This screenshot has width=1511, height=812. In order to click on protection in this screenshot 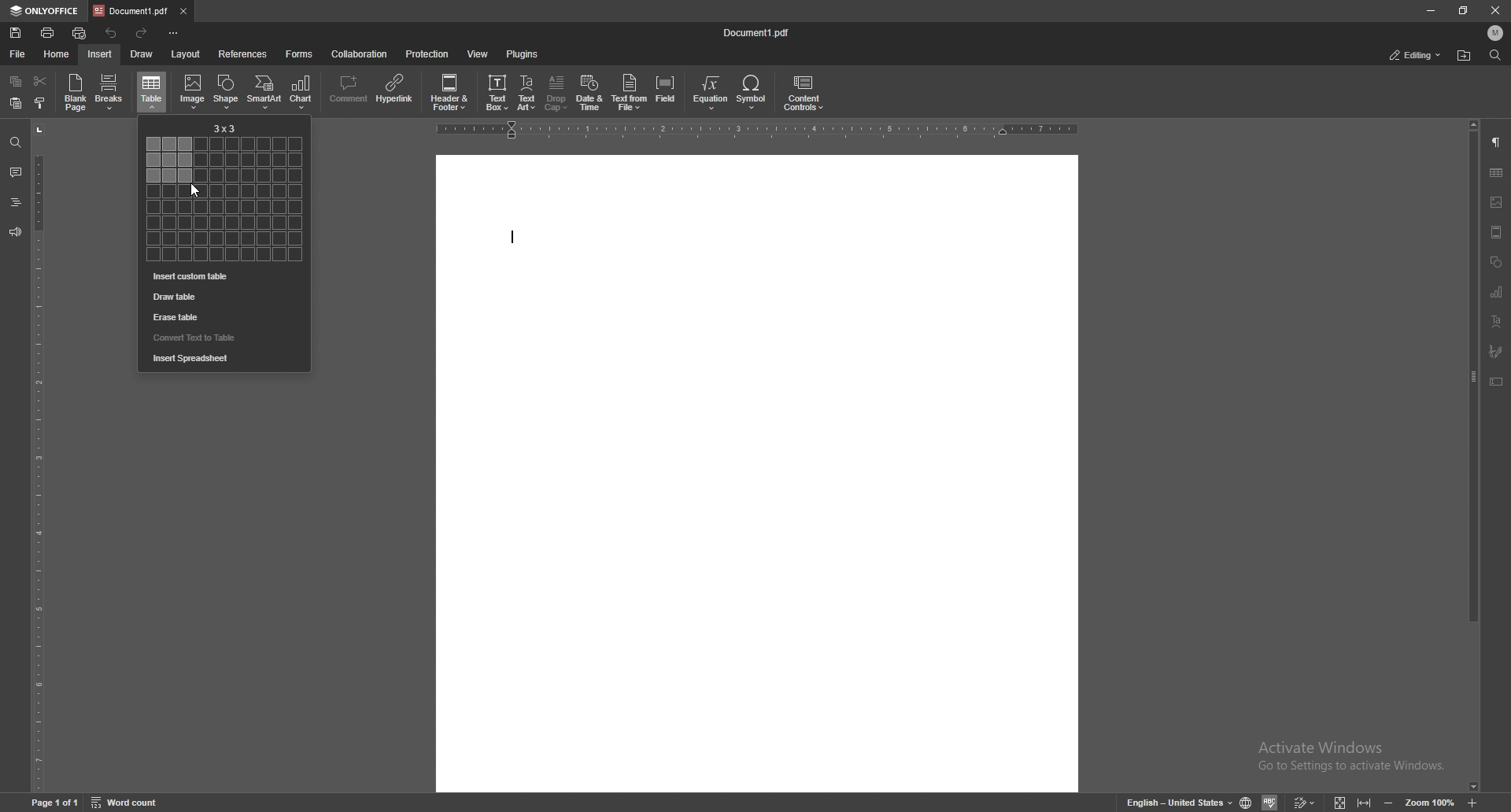, I will do `click(430, 54)`.